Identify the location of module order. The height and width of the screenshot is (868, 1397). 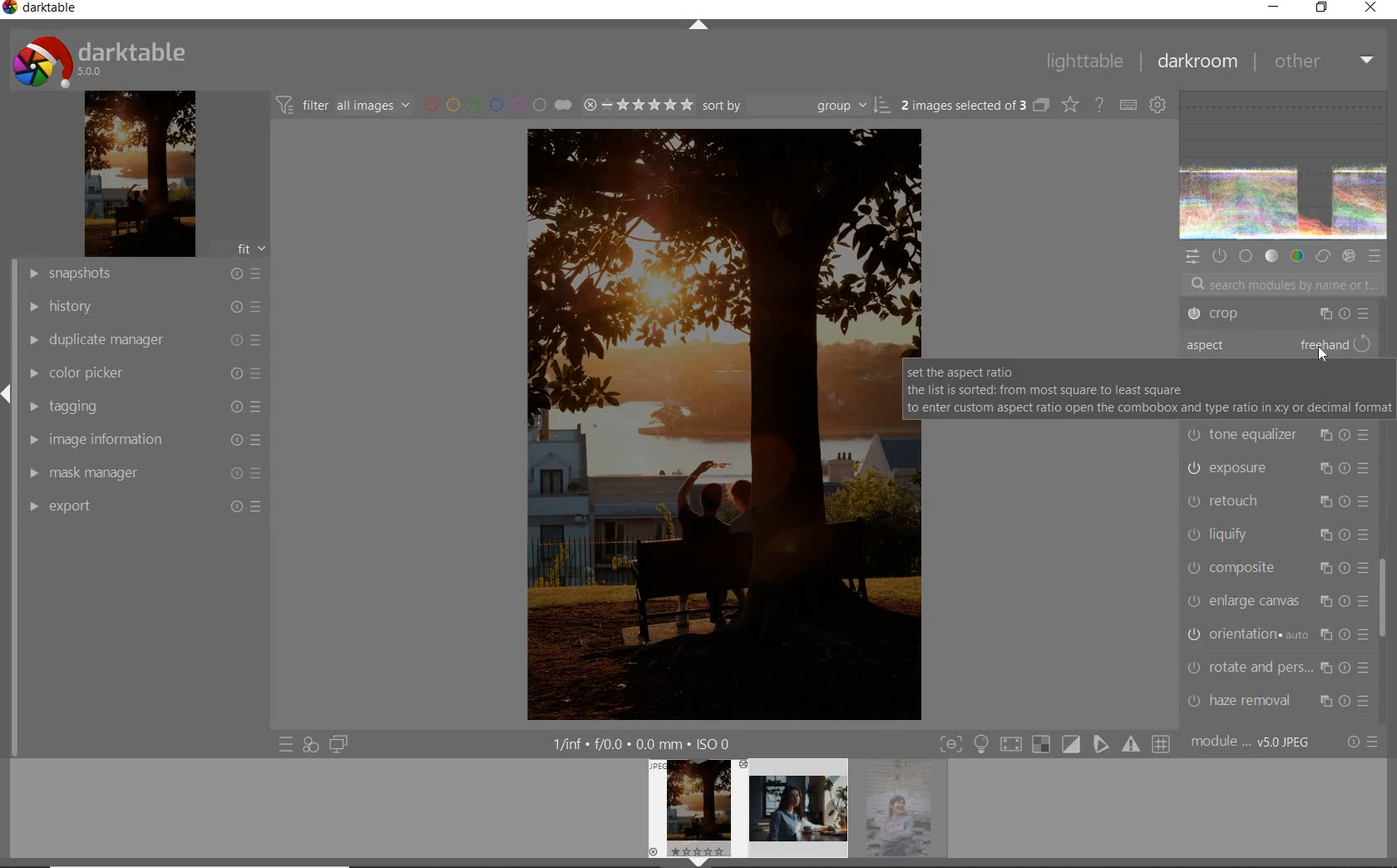
(1249, 744).